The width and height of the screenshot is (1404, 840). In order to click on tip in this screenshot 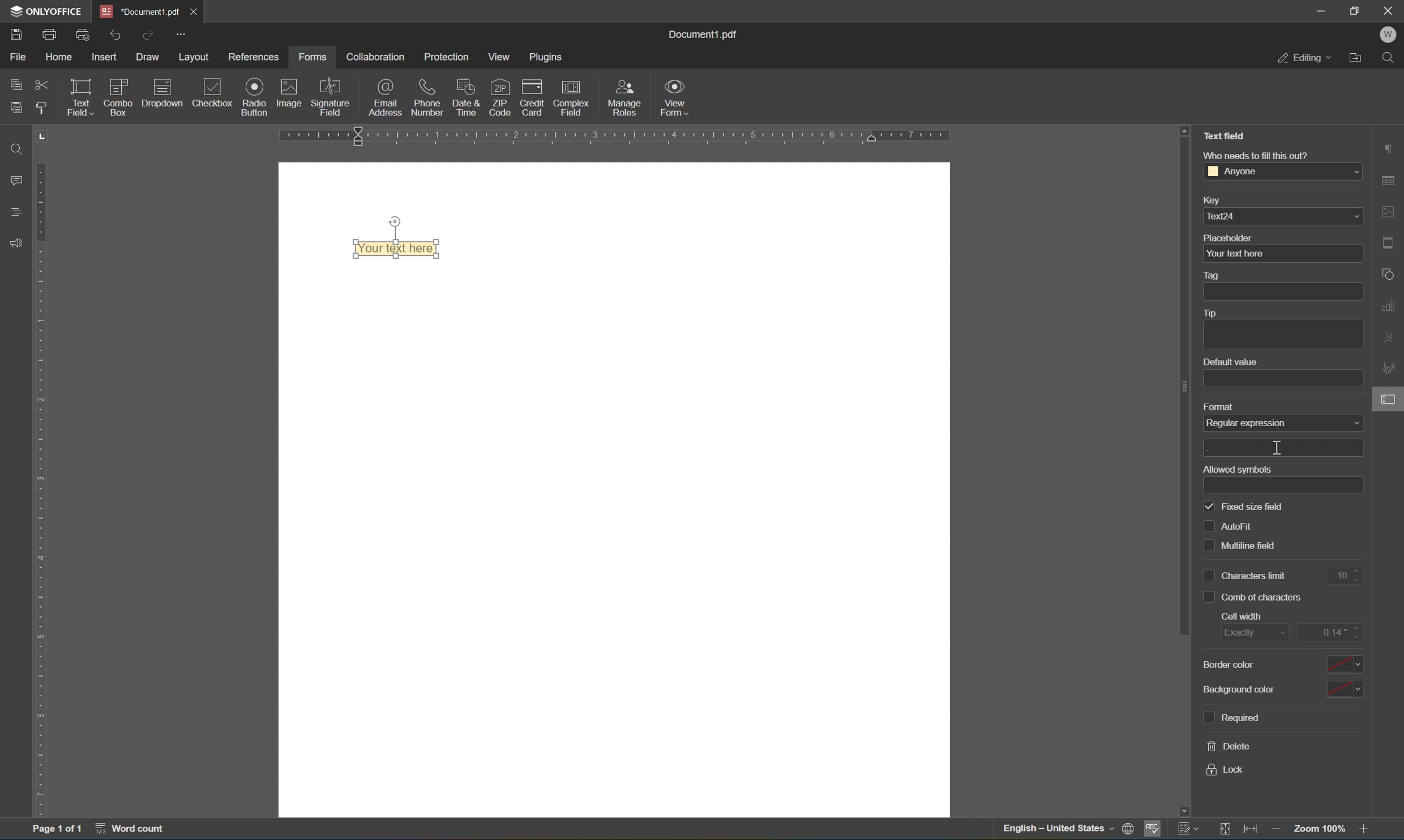, I will do `click(1209, 313)`.